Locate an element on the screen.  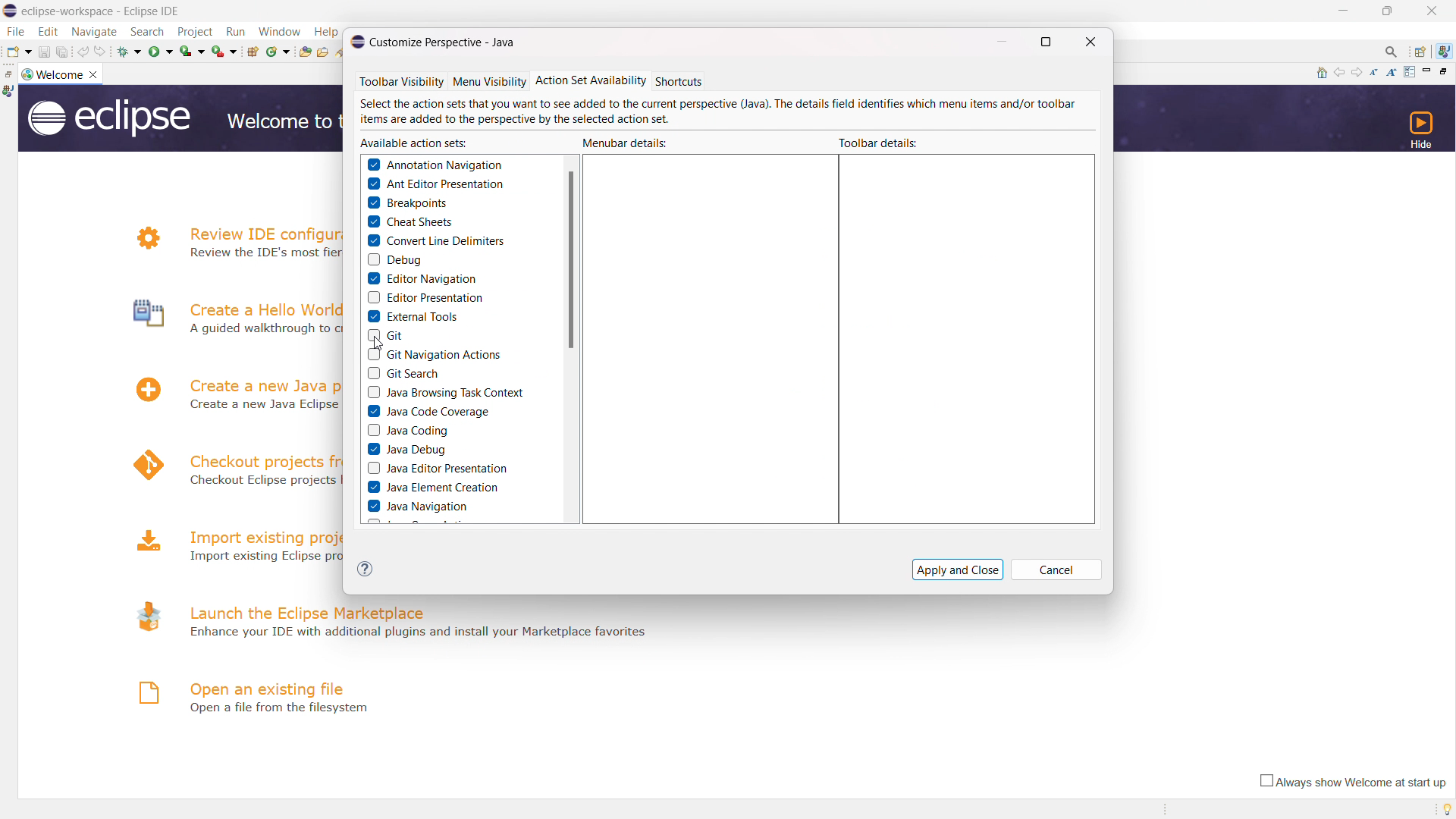
java is located at coordinates (9, 92).